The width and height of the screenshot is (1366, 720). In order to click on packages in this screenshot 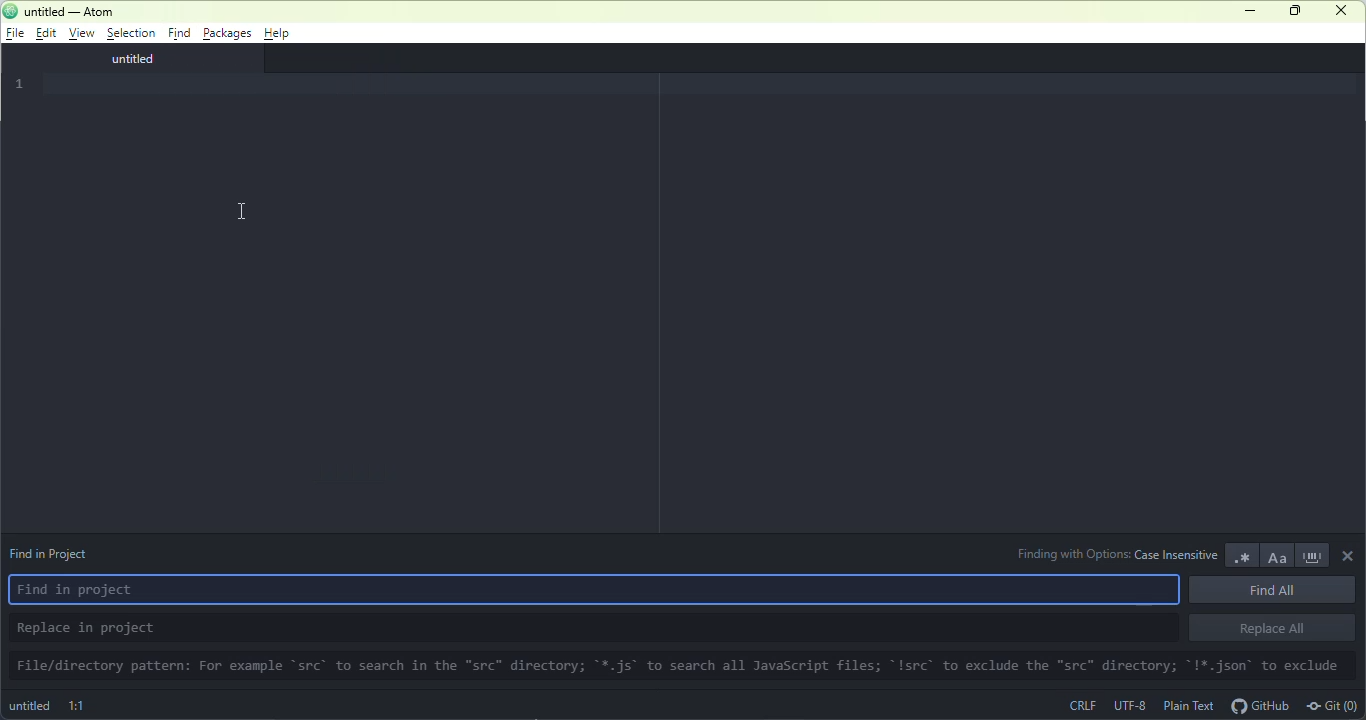, I will do `click(227, 33)`.